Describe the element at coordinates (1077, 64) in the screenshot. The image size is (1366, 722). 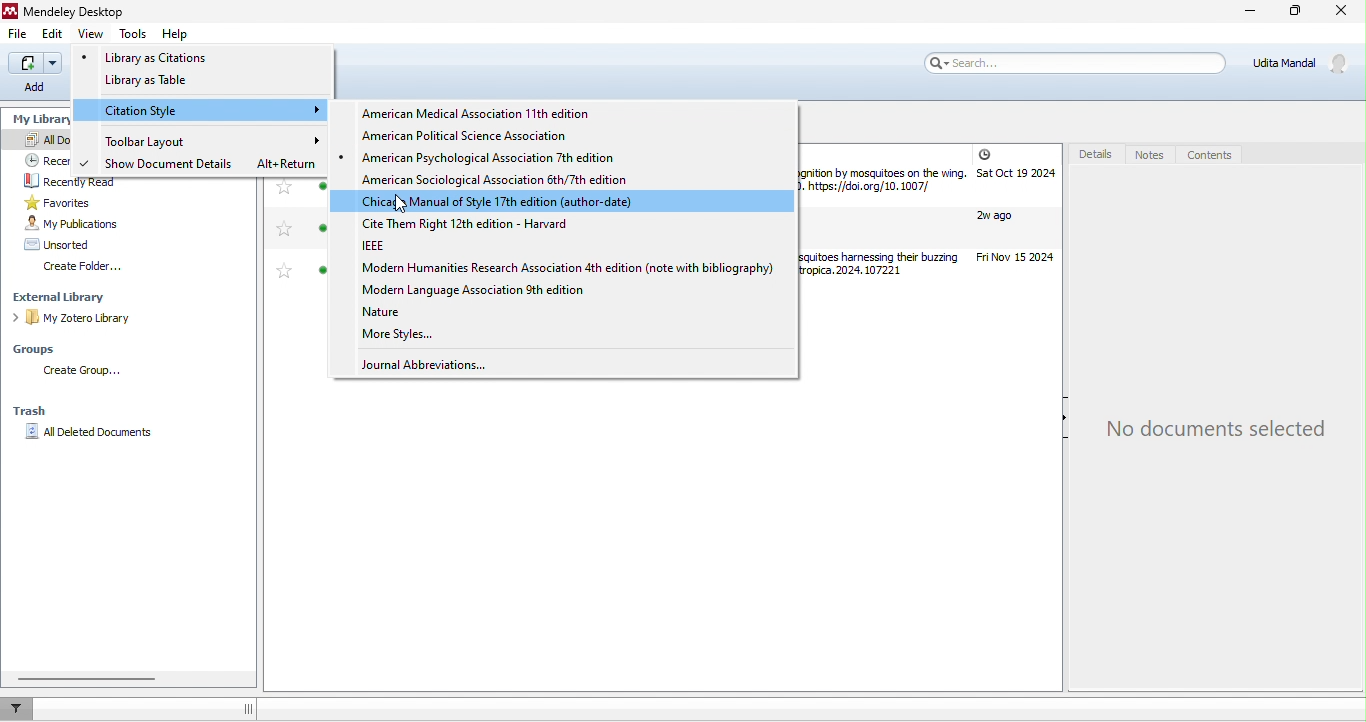
I see `search bar` at that location.